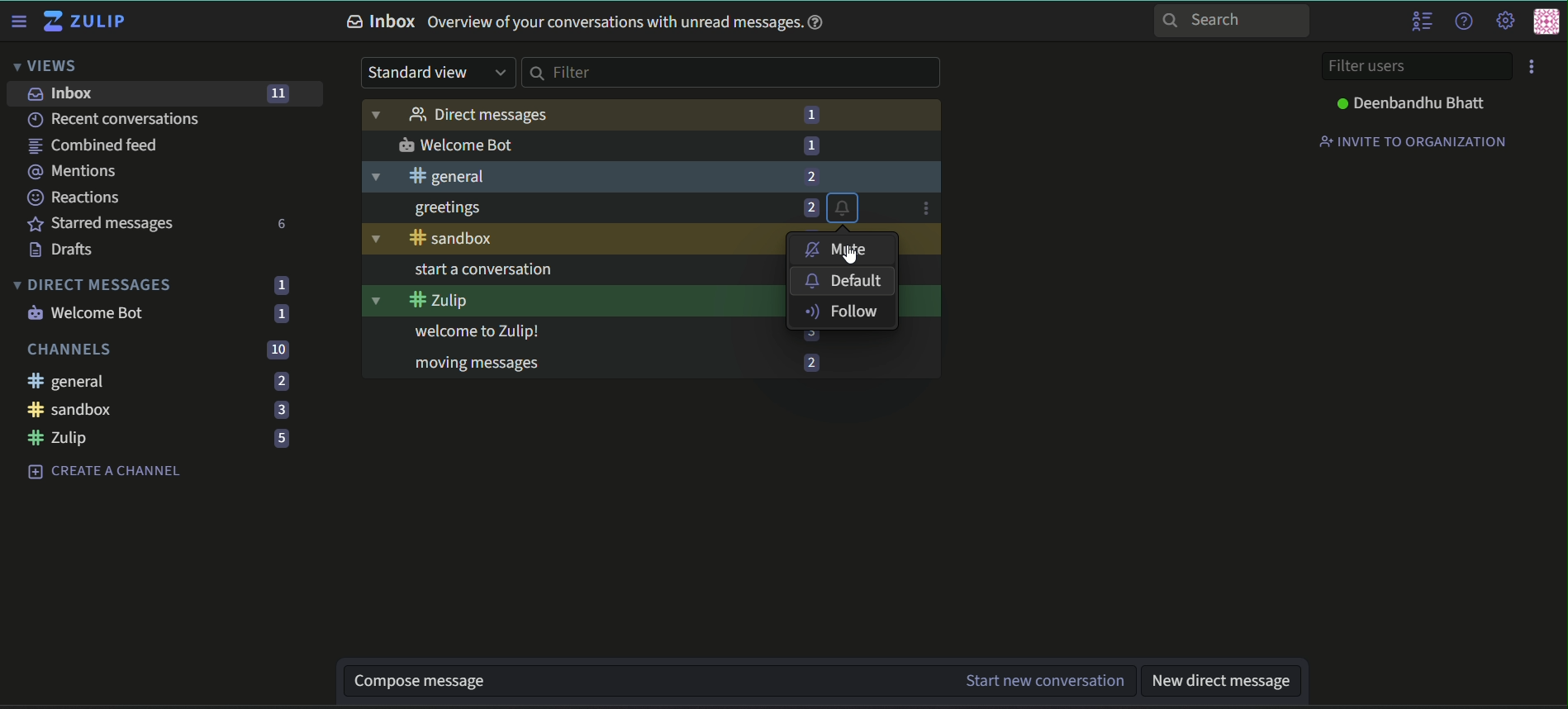  What do you see at coordinates (284, 223) in the screenshot?
I see `numbers` at bounding box center [284, 223].